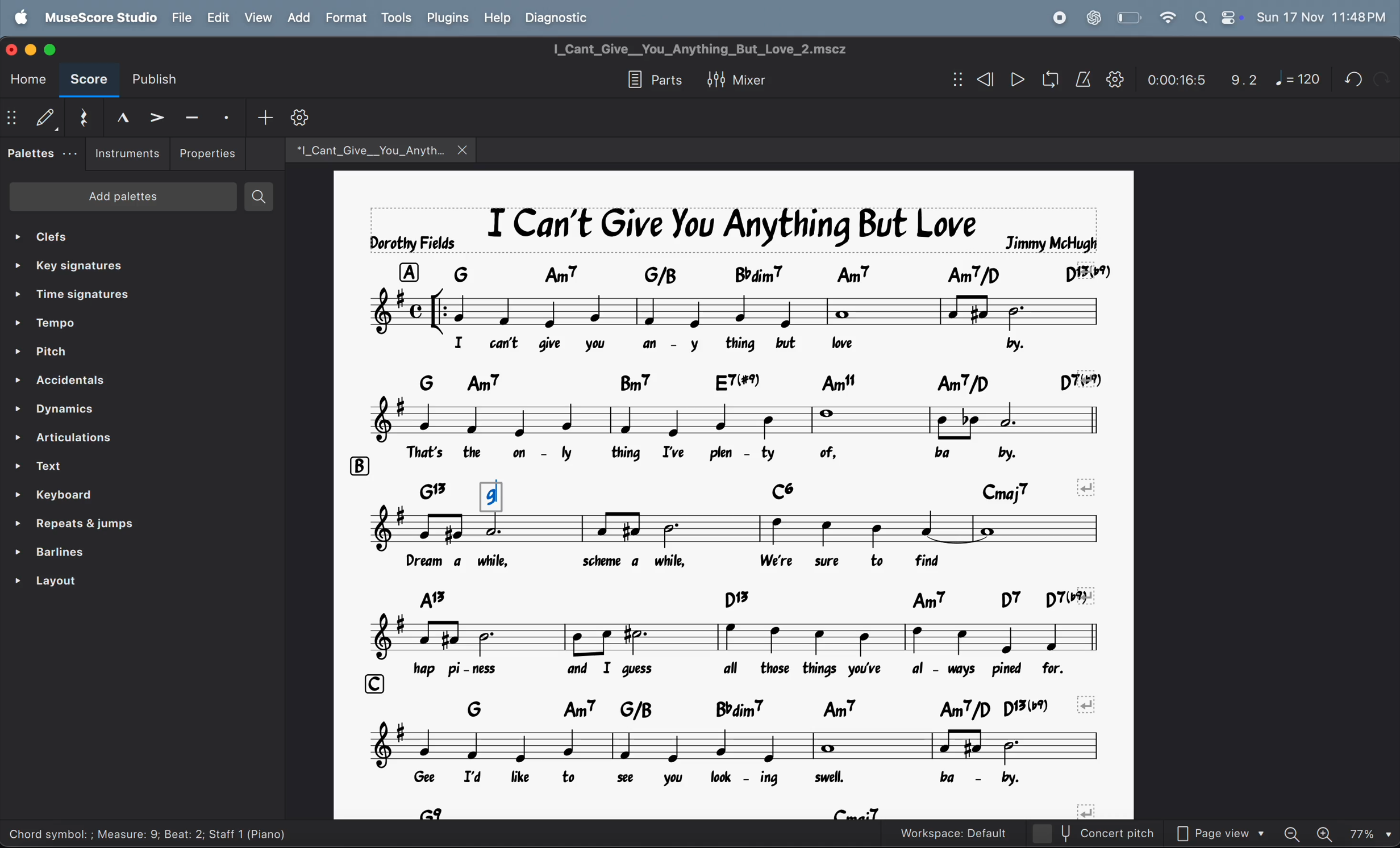 The width and height of the screenshot is (1400, 848). I want to click on publish, so click(161, 76).